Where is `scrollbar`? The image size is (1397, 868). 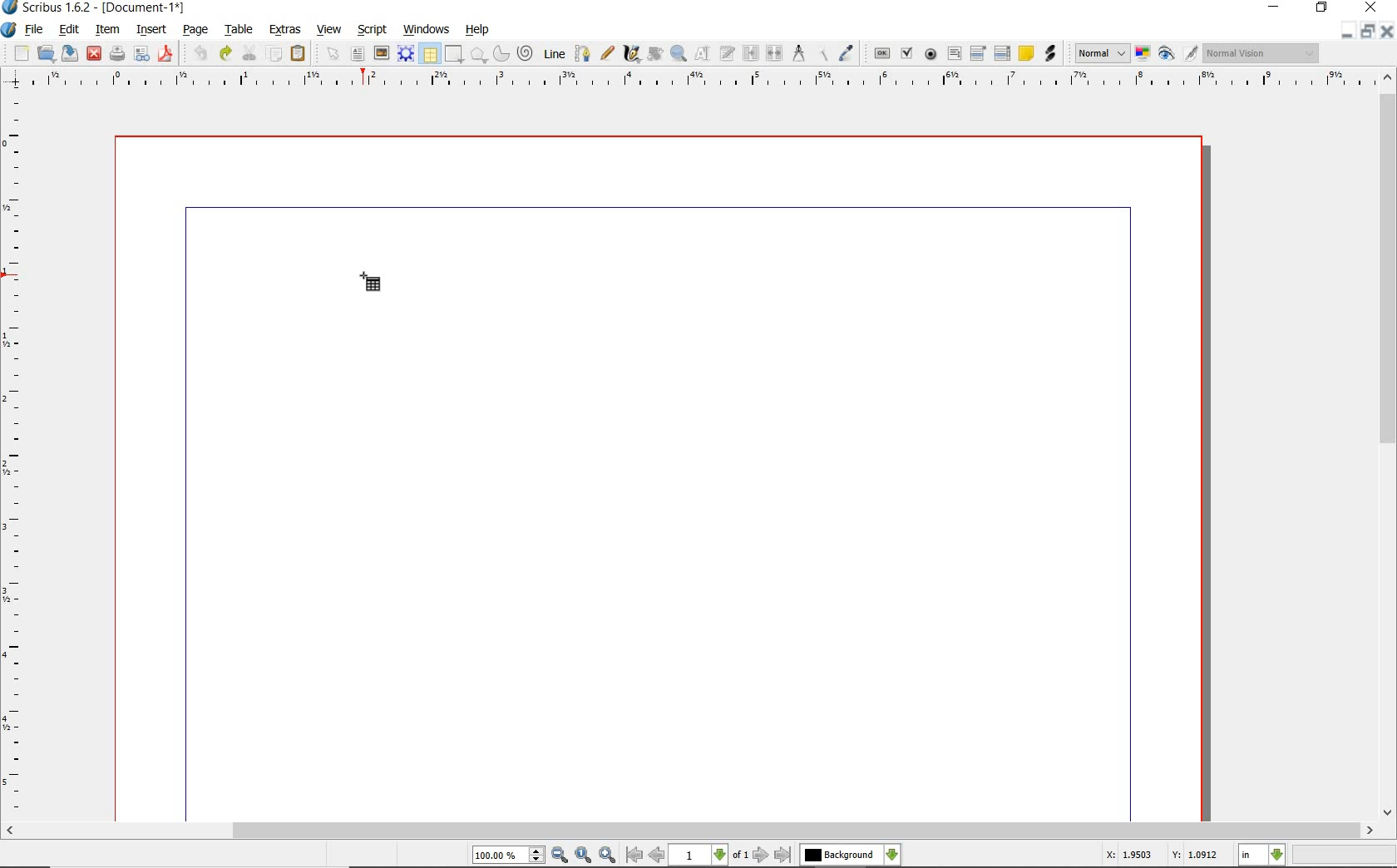 scrollbar is located at coordinates (691, 831).